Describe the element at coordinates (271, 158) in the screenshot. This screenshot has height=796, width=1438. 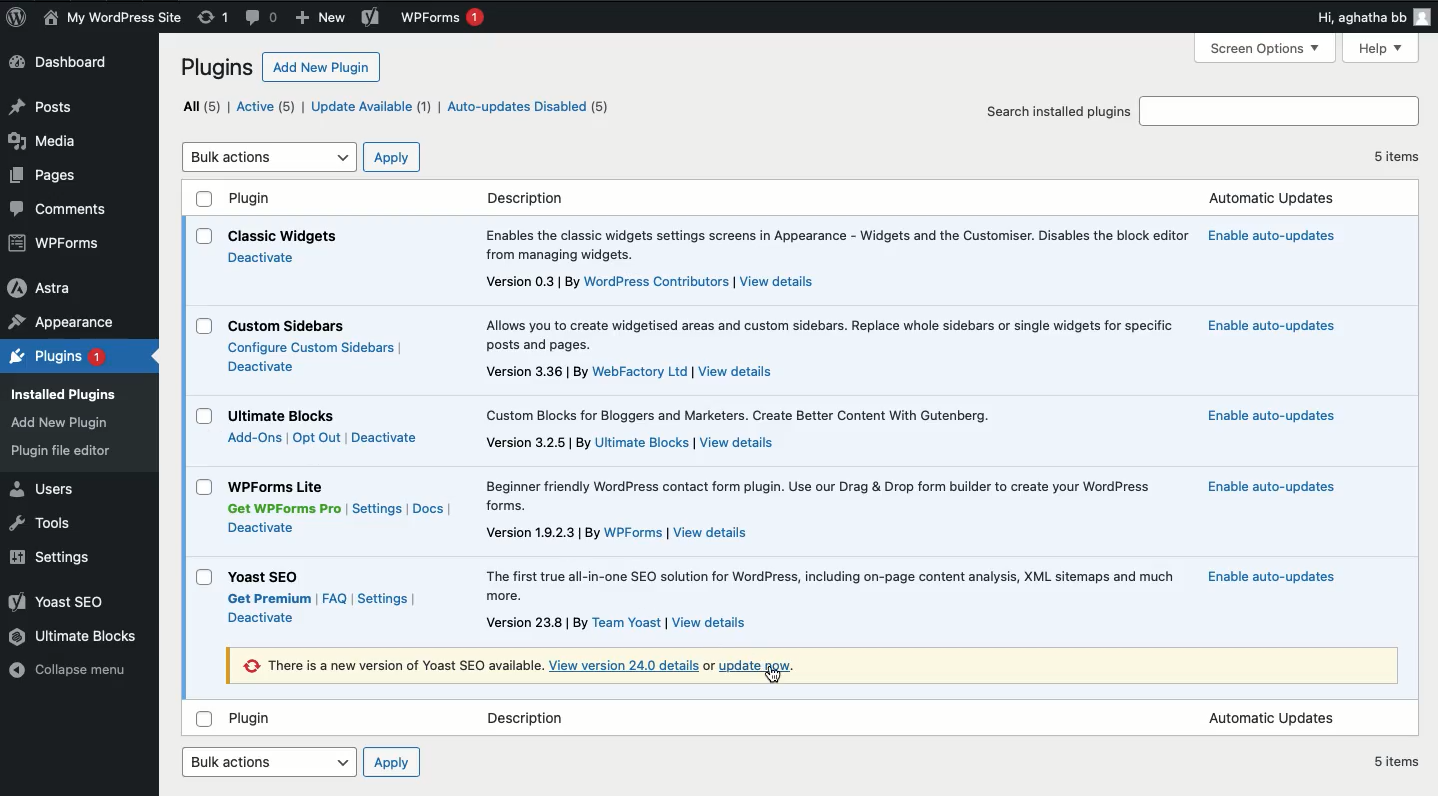
I see `Bulk actions` at that location.